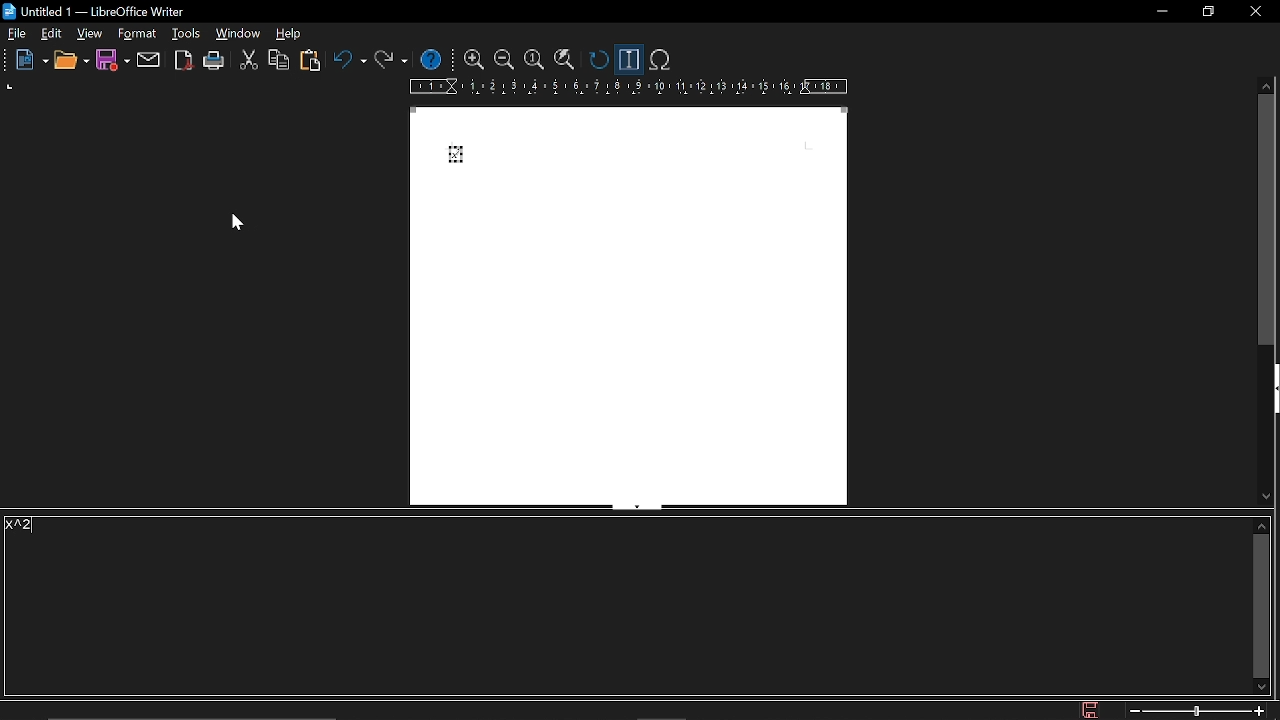 The width and height of the screenshot is (1280, 720). What do you see at coordinates (314, 61) in the screenshot?
I see `paste` at bounding box center [314, 61].